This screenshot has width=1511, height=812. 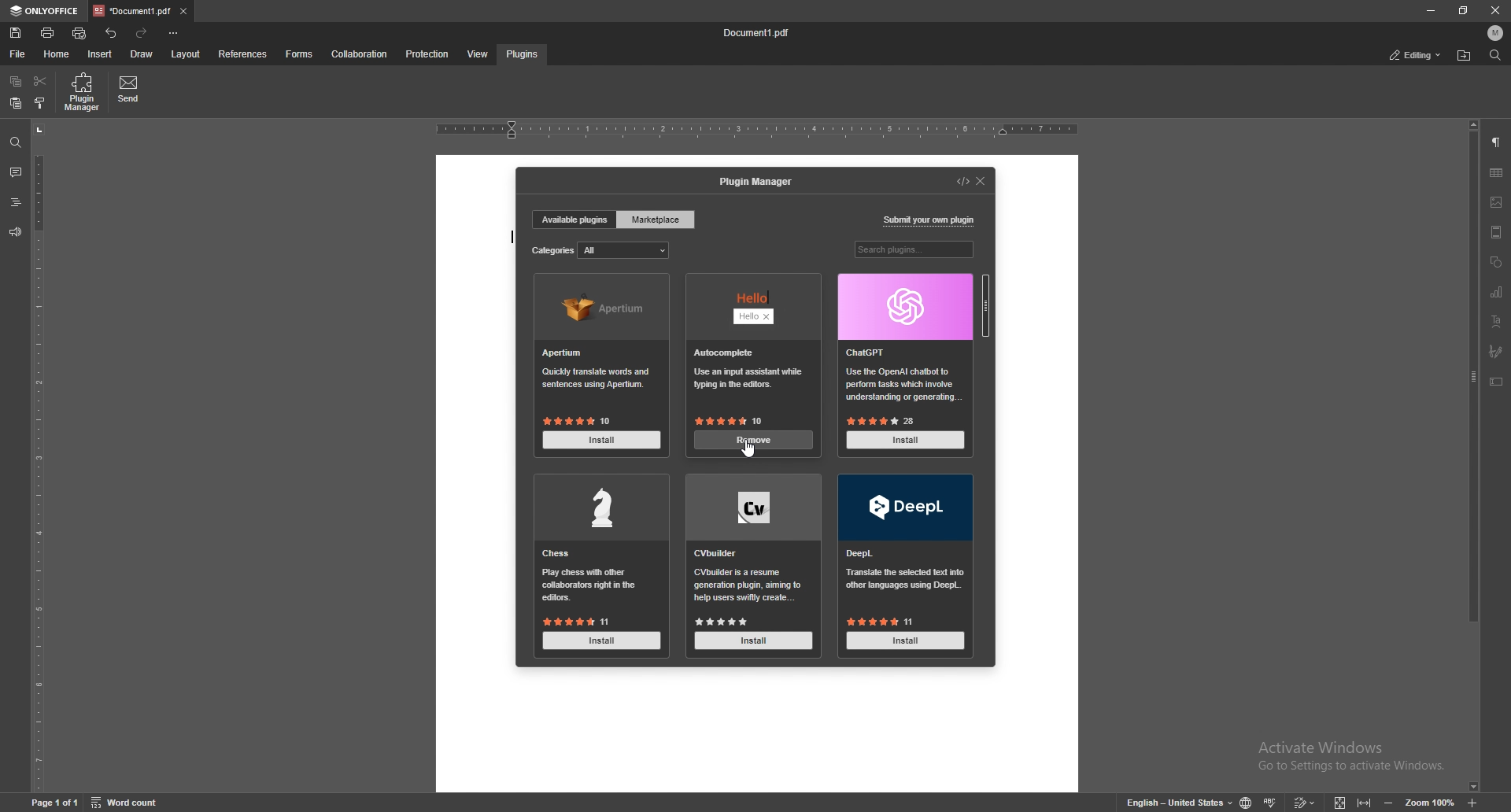 I want to click on close, so click(x=981, y=181).